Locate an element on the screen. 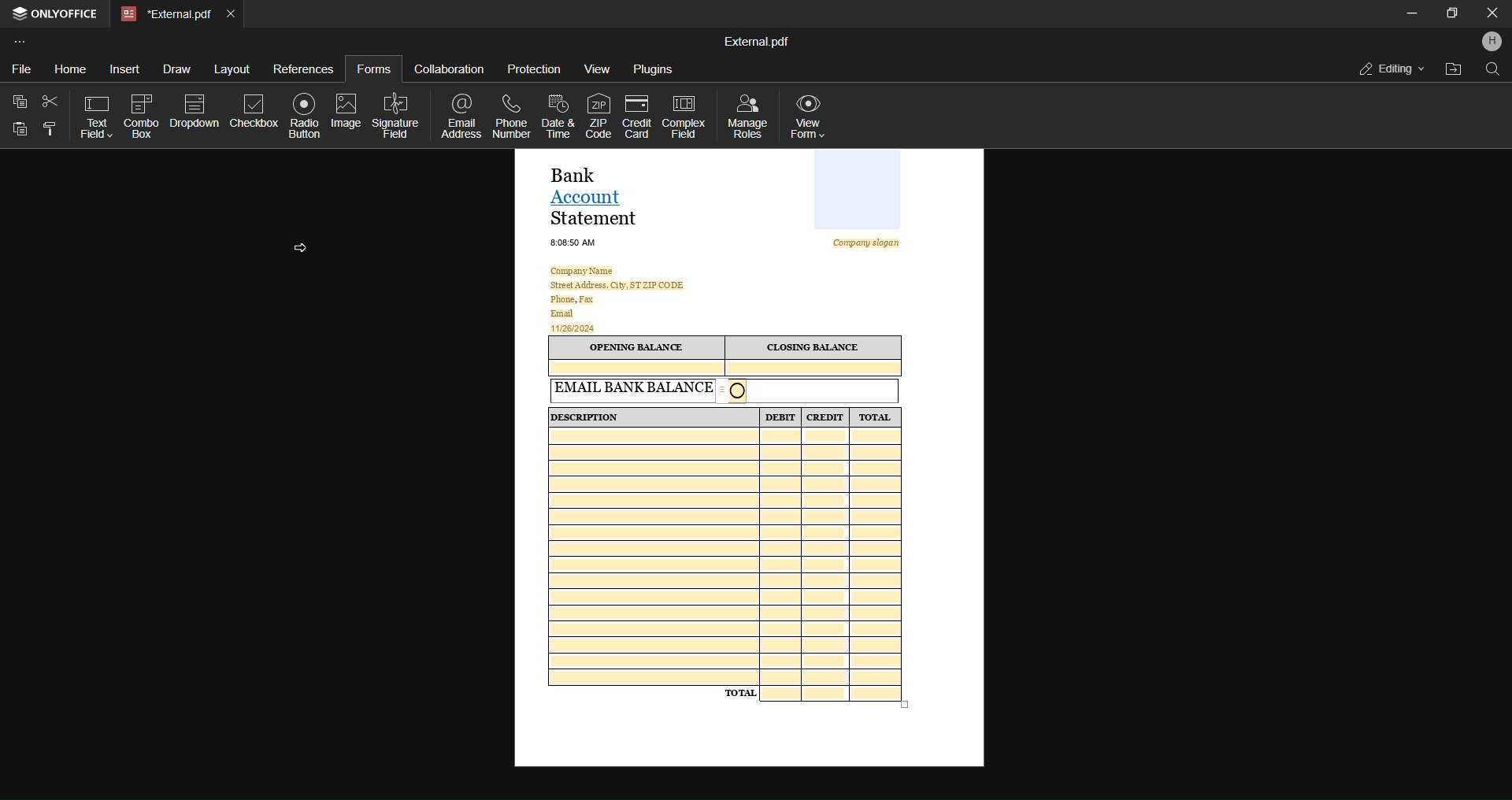  file name is located at coordinates (757, 41).